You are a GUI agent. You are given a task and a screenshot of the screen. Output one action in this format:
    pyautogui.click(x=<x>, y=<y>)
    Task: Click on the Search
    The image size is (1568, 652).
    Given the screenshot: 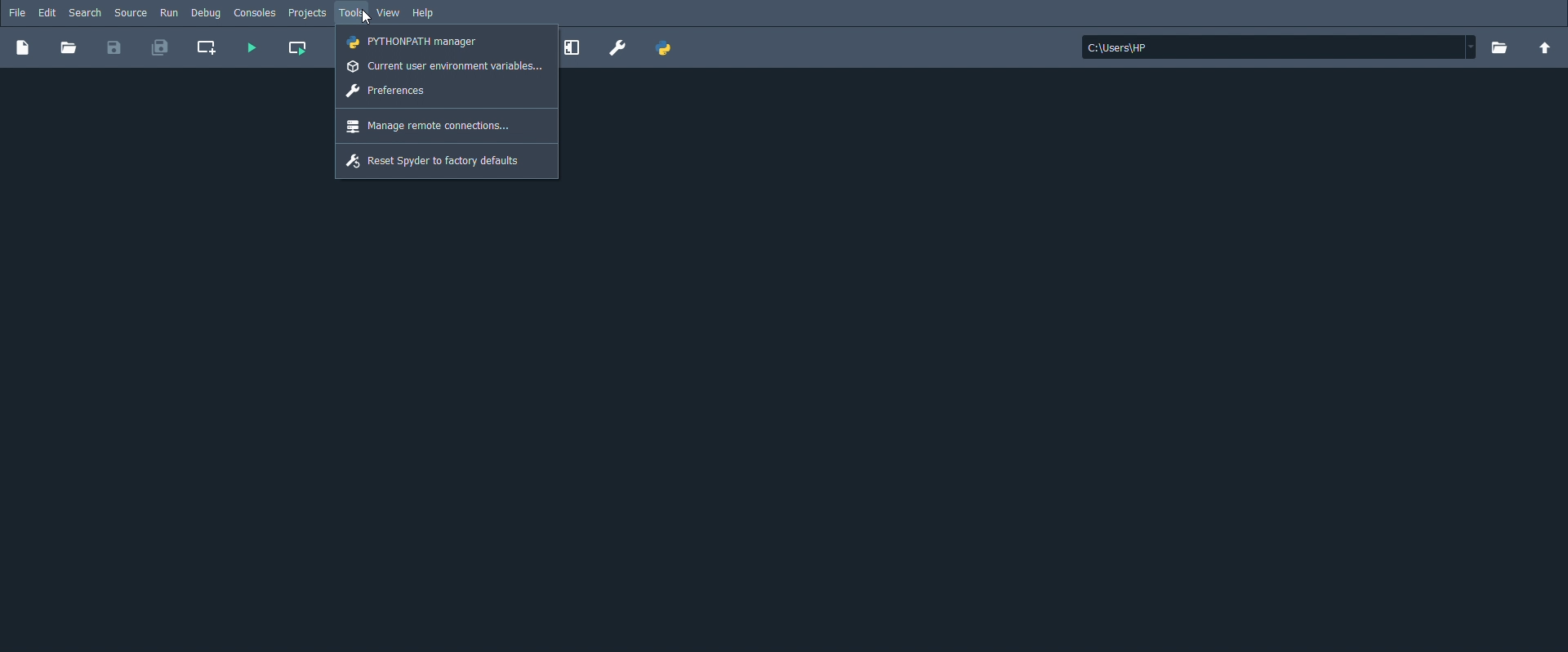 What is the action you would take?
    pyautogui.click(x=86, y=14)
    